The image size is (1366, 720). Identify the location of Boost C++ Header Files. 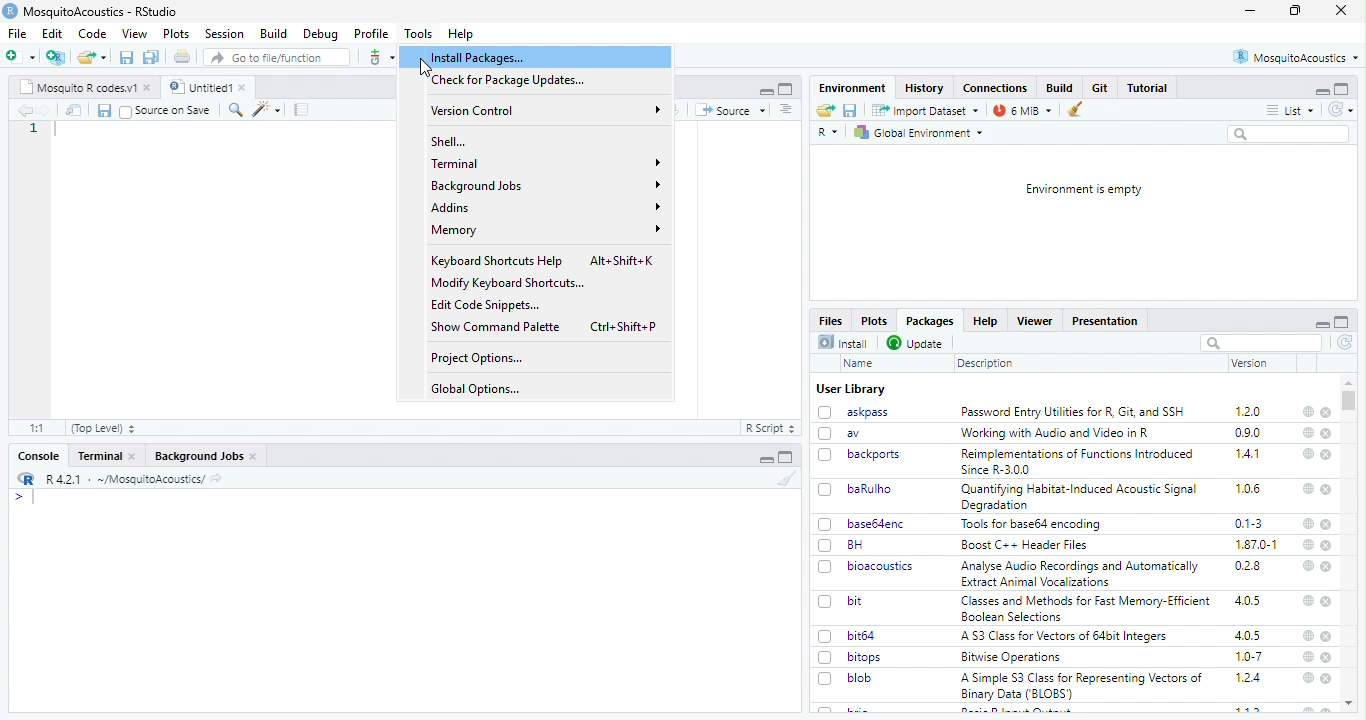
(1030, 545).